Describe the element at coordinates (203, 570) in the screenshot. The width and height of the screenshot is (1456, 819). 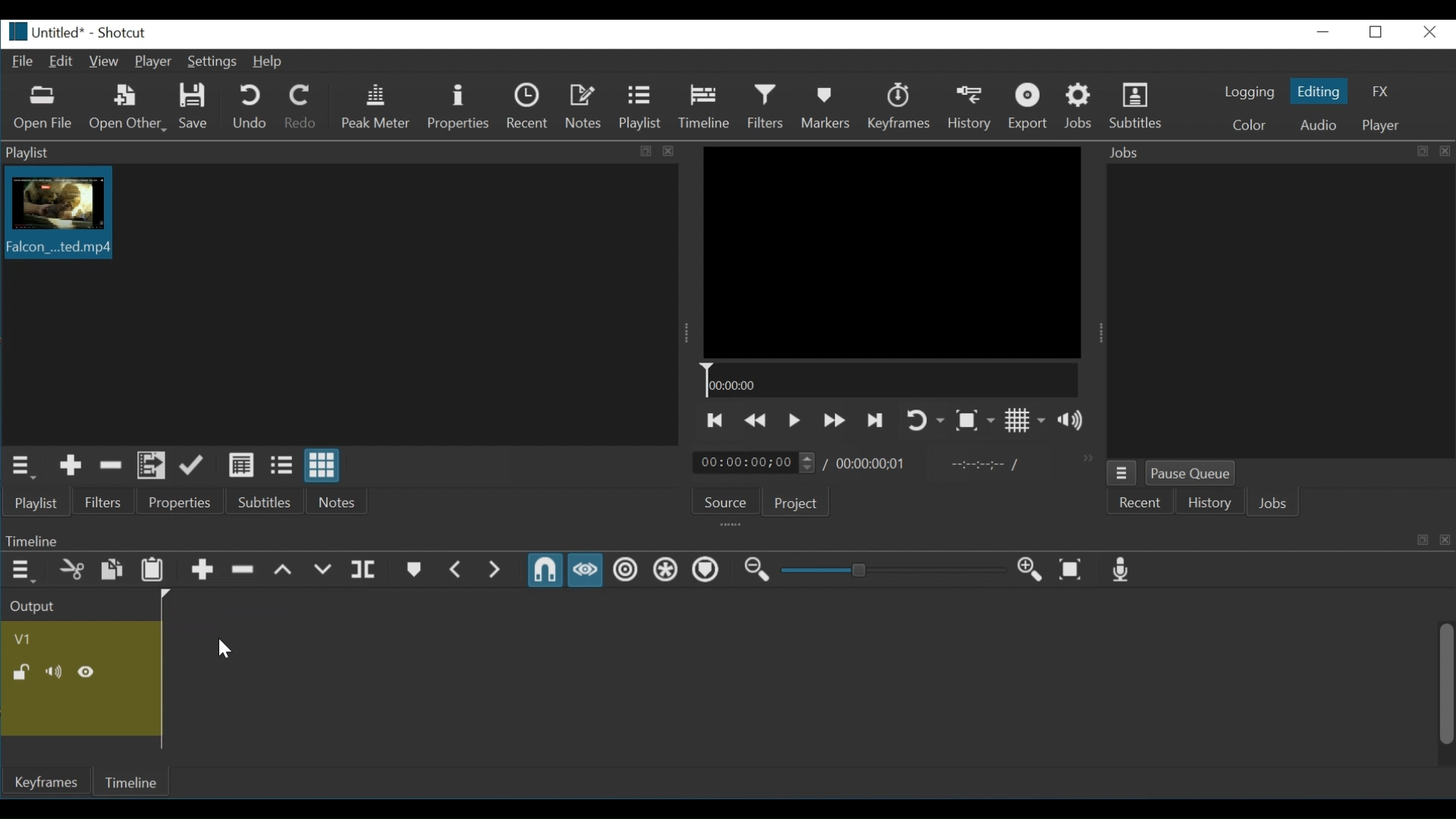
I see `Append` at that location.